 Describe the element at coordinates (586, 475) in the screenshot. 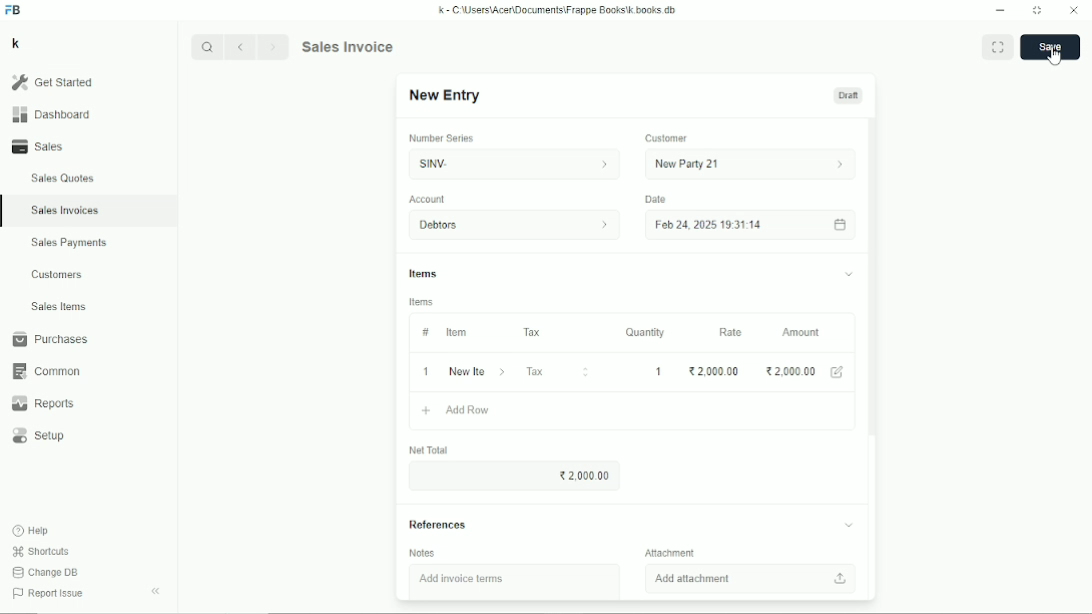

I see `2000.00` at that location.